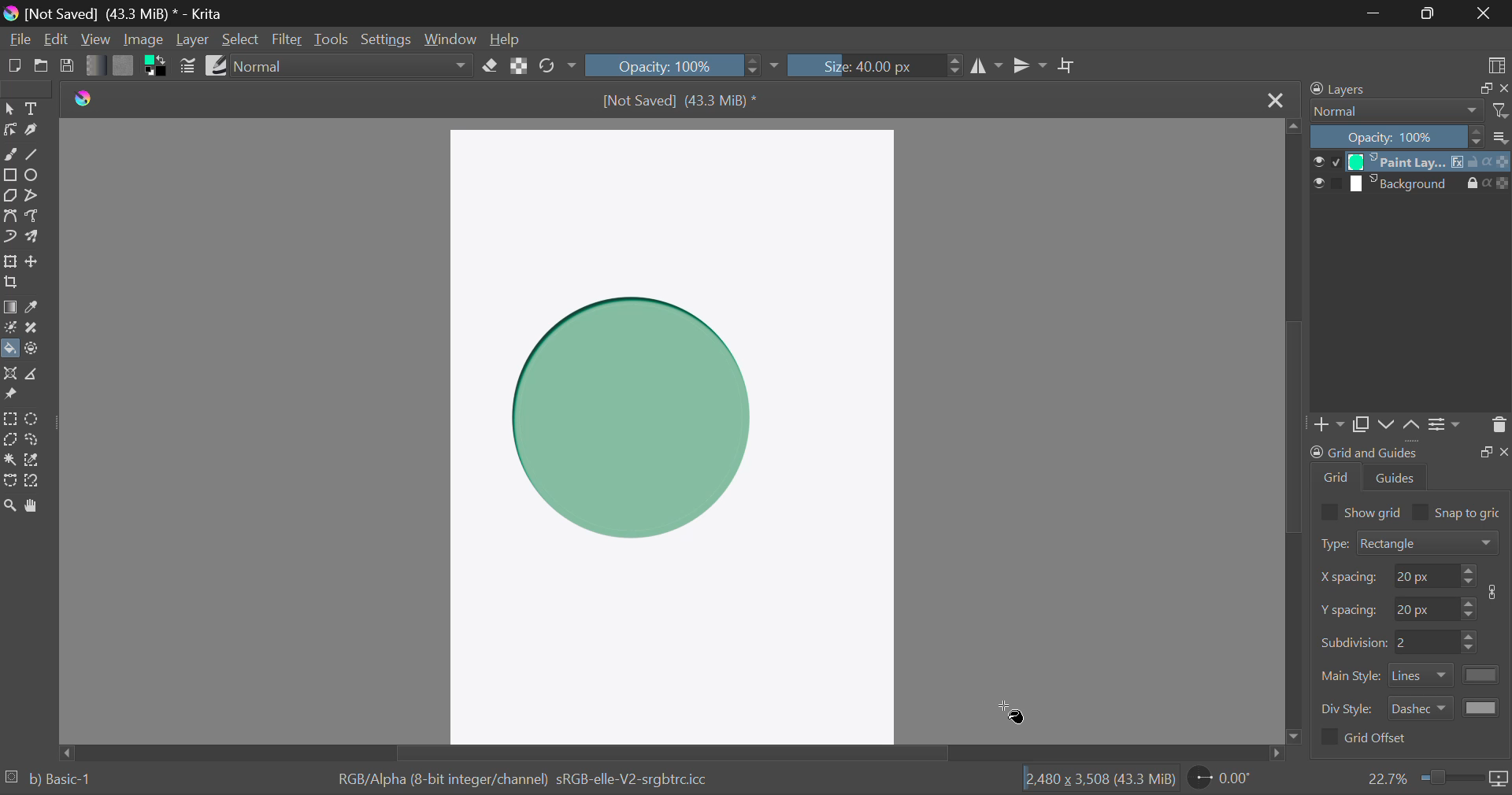  What do you see at coordinates (123, 68) in the screenshot?
I see `Pattern` at bounding box center [123, 68].